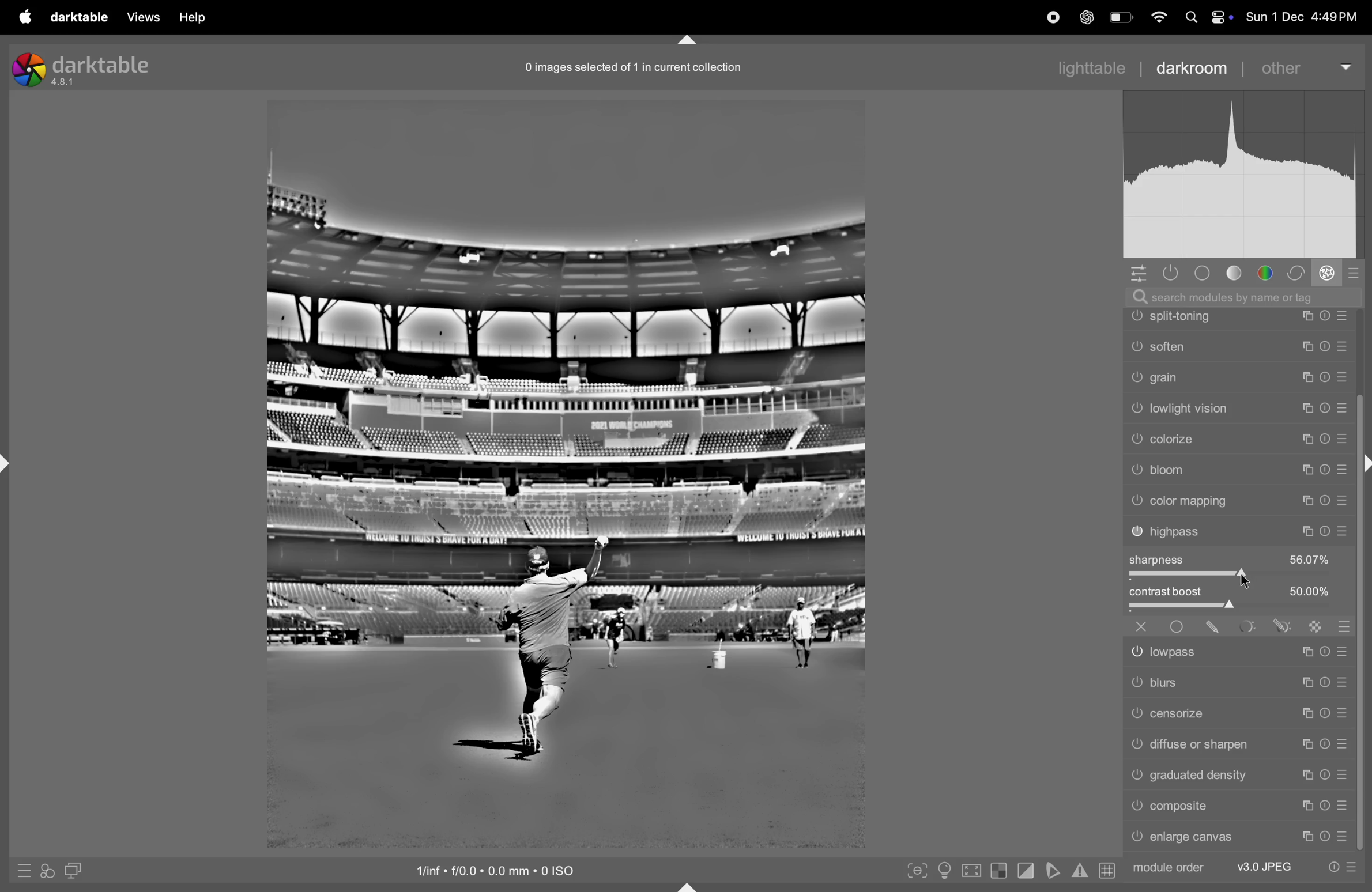  What do you see at coordinates (1269, 272) in the screenshot?
I see `color` at bounding box center [1269, 272].